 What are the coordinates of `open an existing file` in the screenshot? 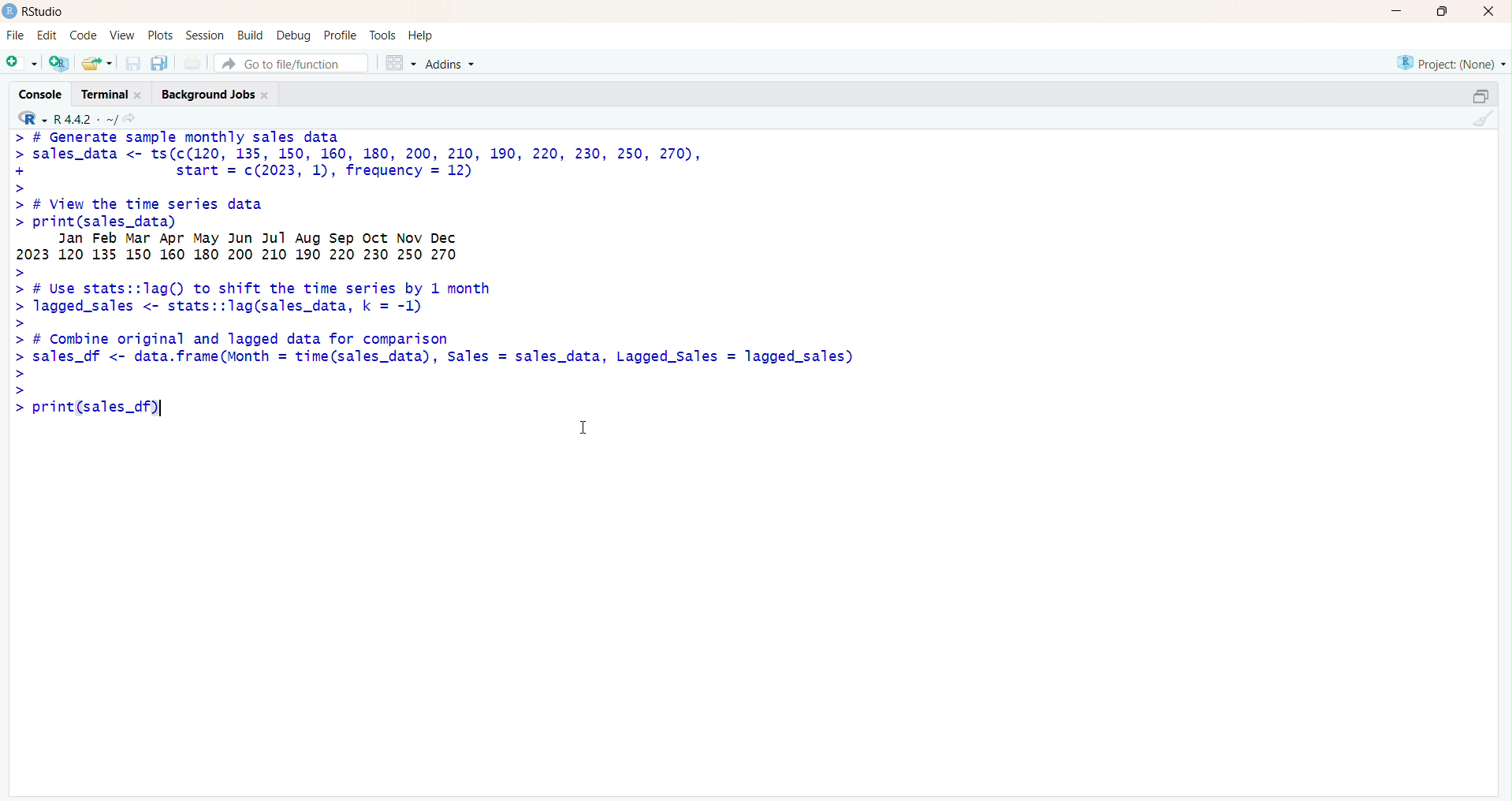 It's located at (97, 63).